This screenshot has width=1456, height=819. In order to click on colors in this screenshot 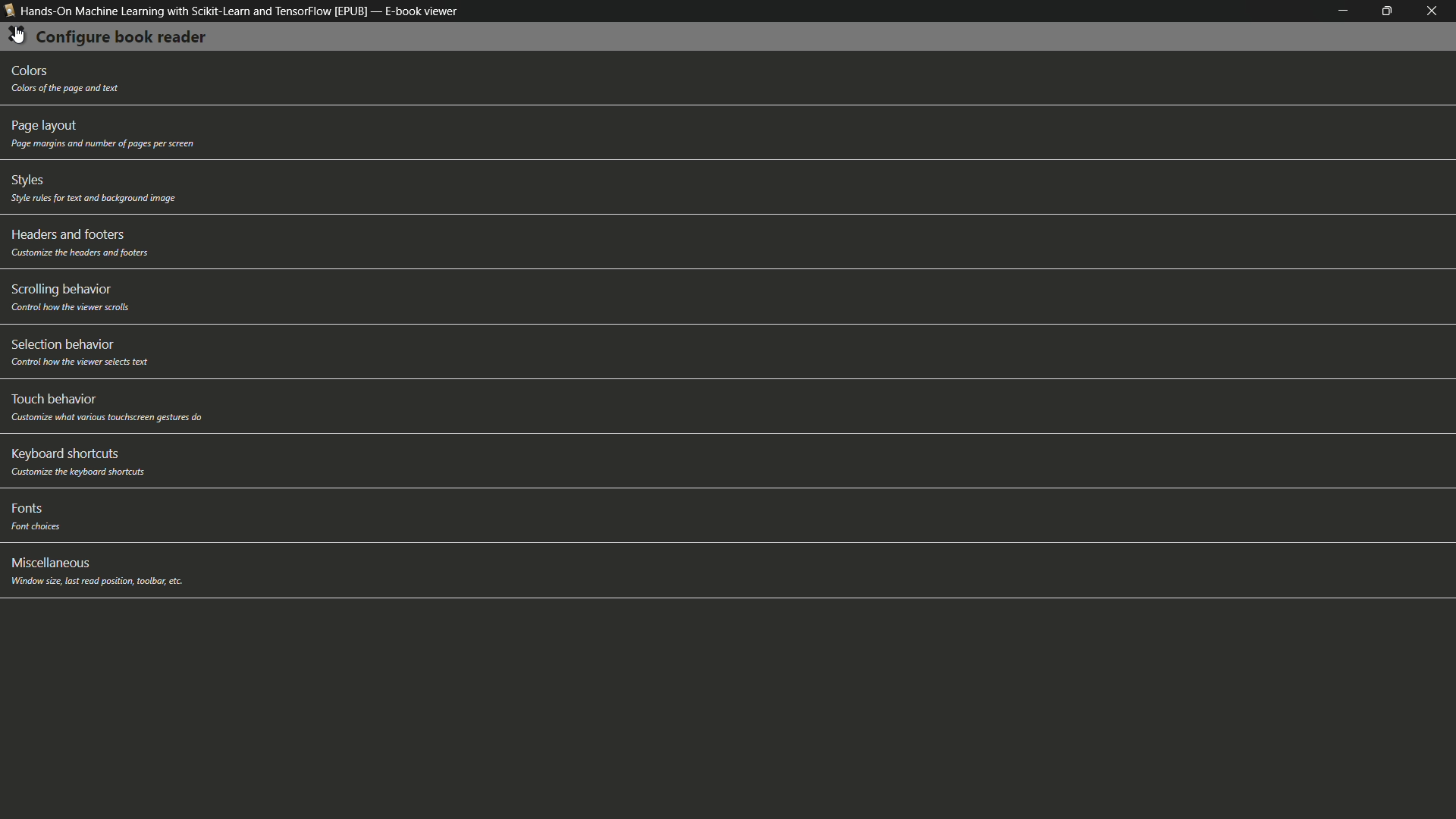, I will do `click(33, 71)`.